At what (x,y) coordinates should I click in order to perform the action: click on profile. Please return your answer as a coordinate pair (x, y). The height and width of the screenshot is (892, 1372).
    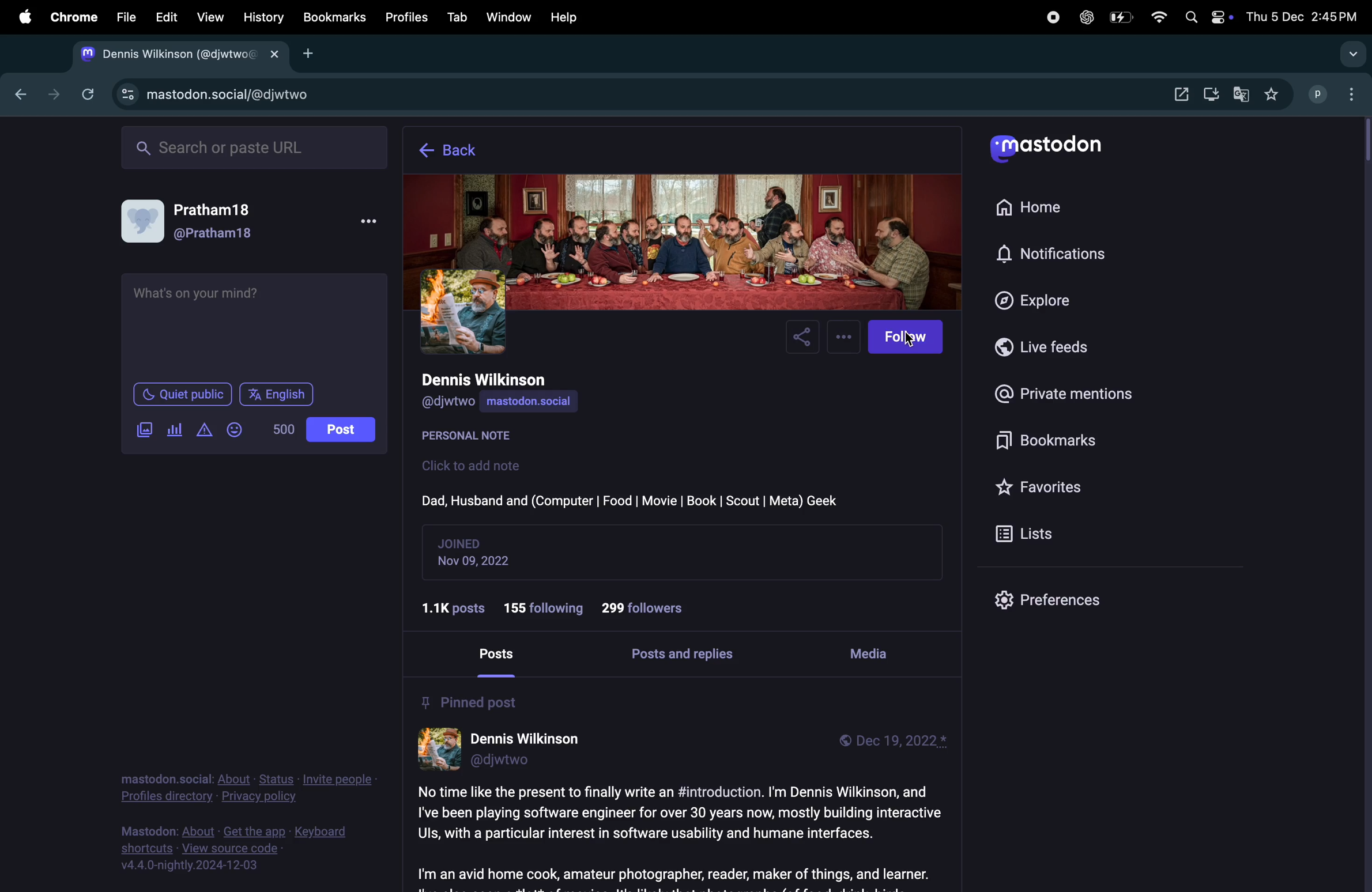
    Looking at the image, I should click on (1317, 95).